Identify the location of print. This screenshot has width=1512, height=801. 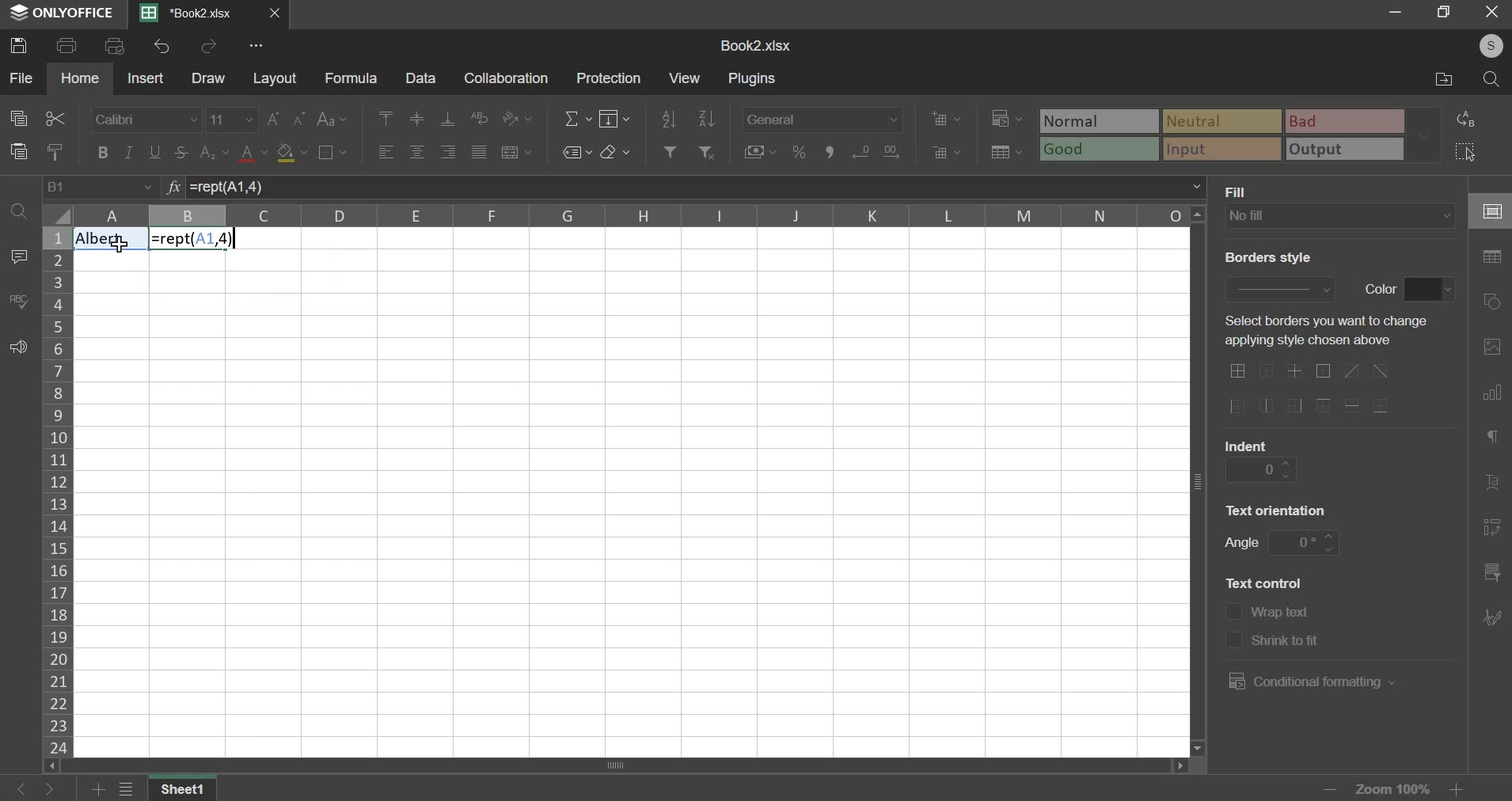
(67, 44).